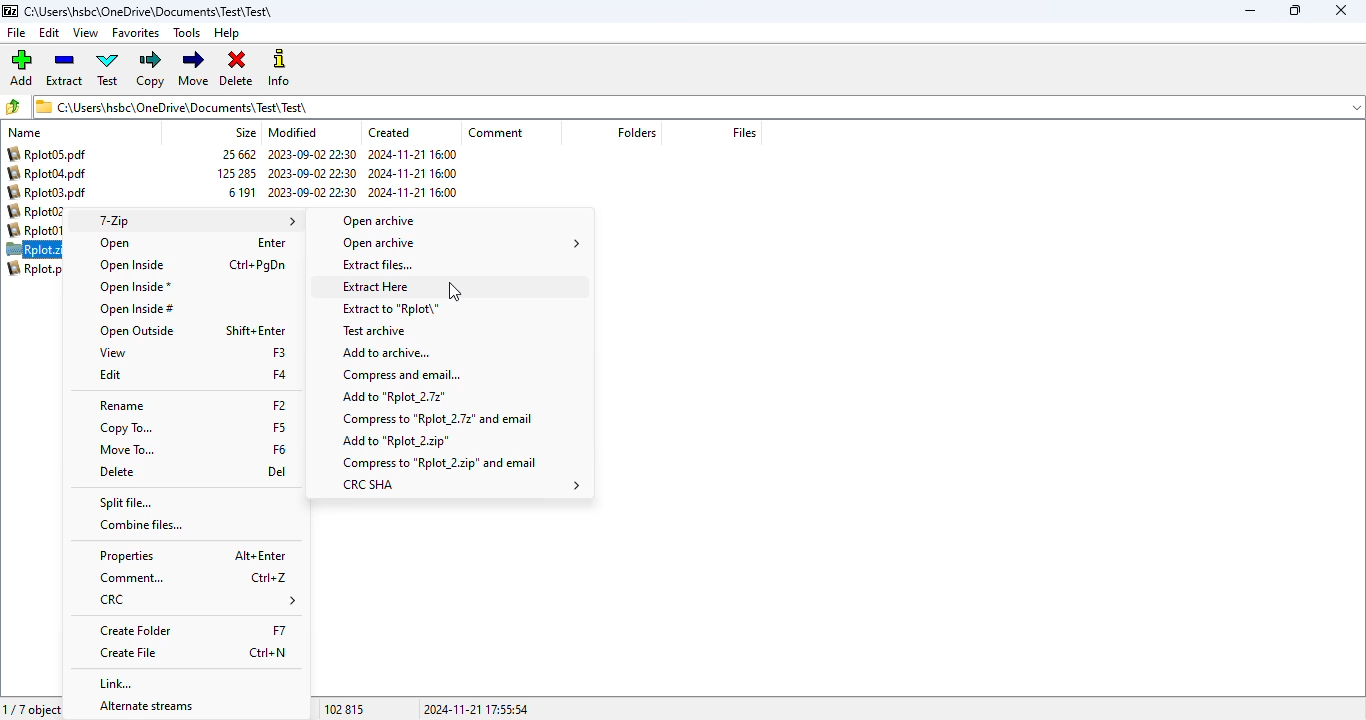 Image resolution: width=1366 pixels, height=720 pixels. What do you see at coordinates (195, 601) in the screenshot?
I see `CRC` at bounding box center [195, 601].